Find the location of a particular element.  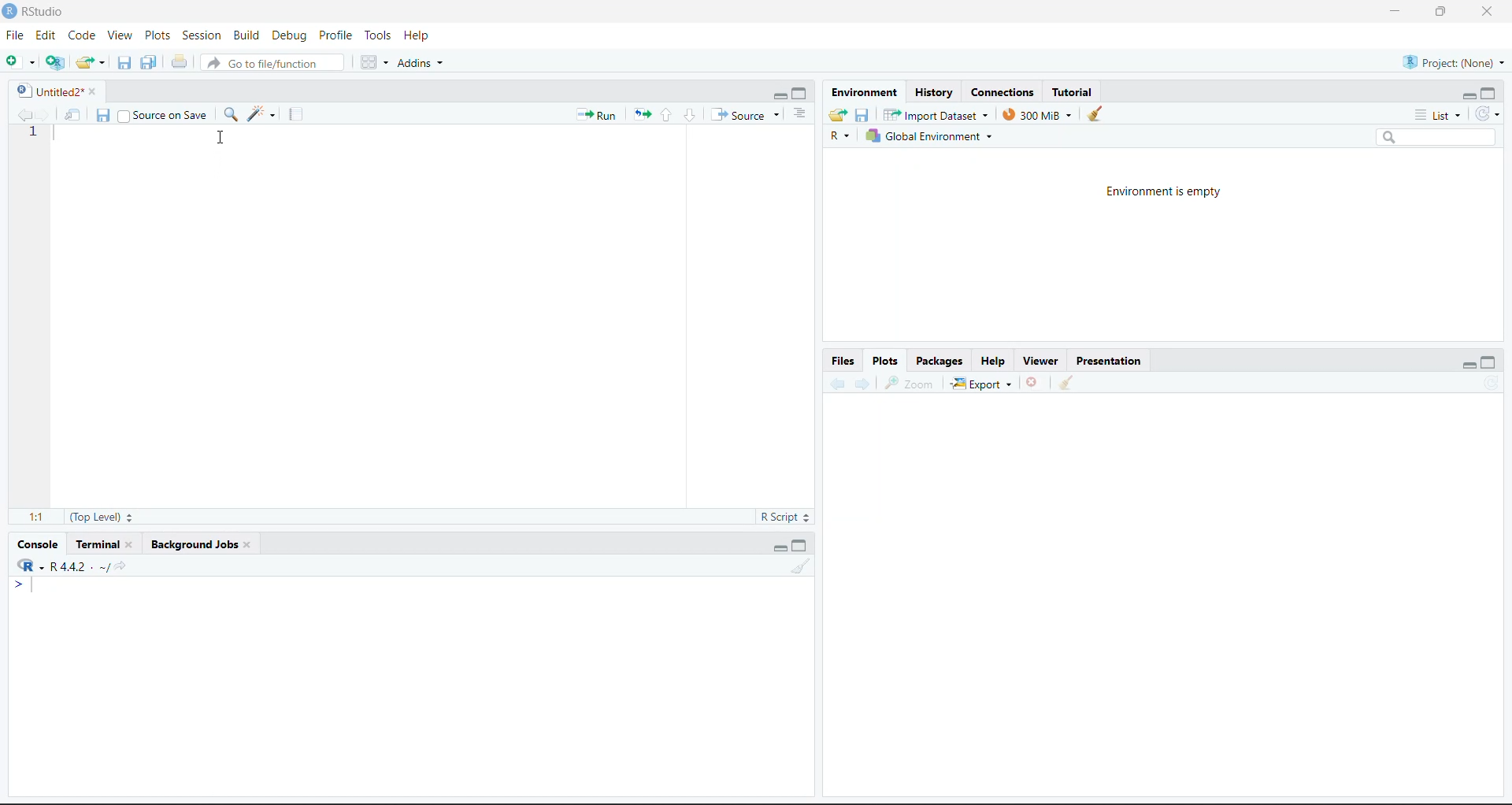

1 is located at coordinates (31, 133).